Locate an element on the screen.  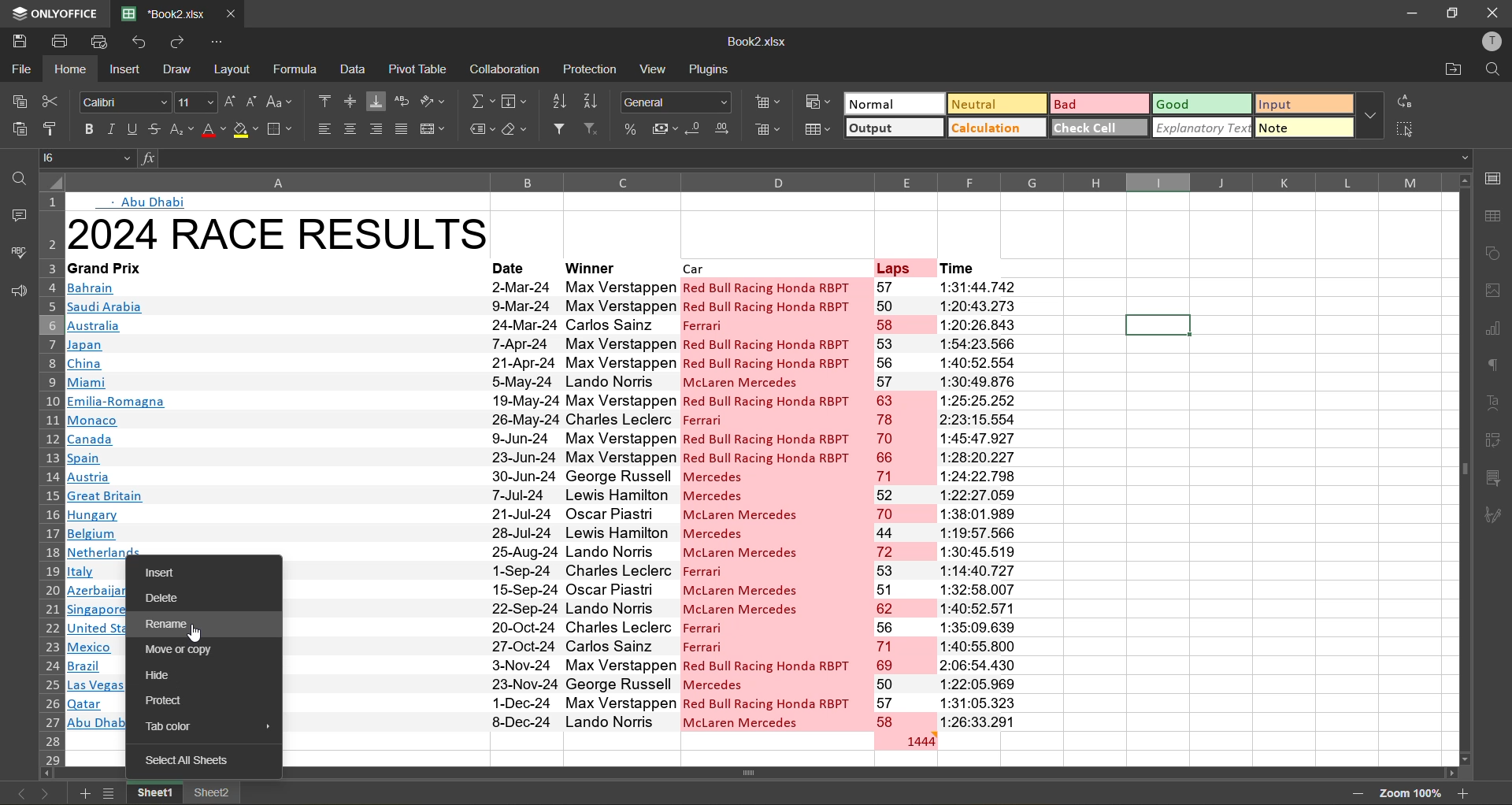
hide is located at coordinates (169, 673).